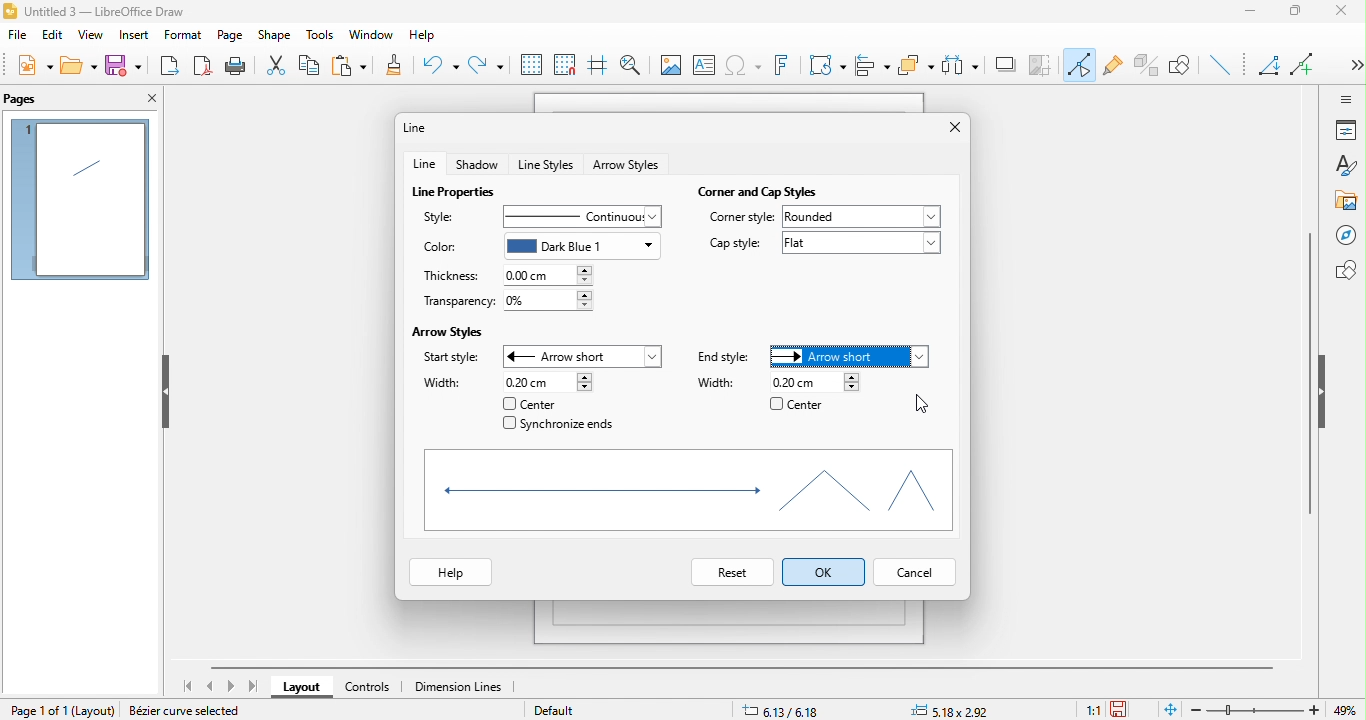 The image size is (1366, 720). I want to click on 0.20 cm, so click(806, 381).